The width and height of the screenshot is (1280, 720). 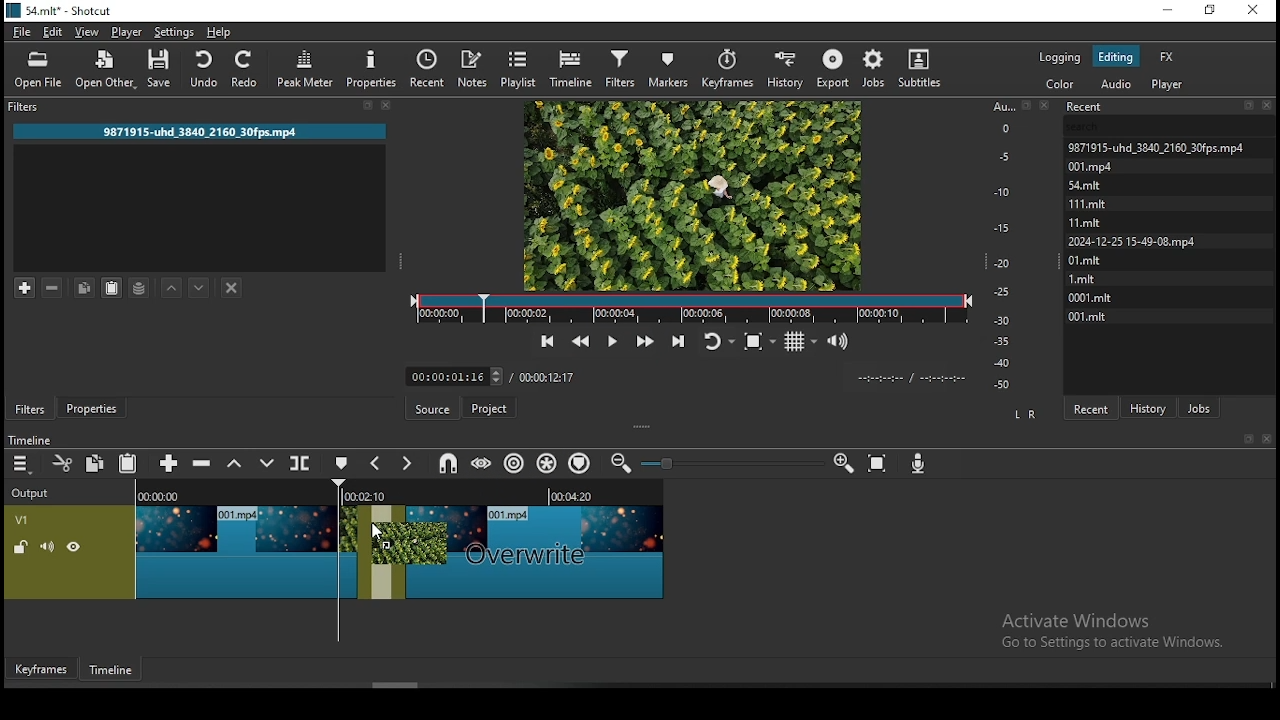 I want to click on add filter, so click(x=25, y=287).